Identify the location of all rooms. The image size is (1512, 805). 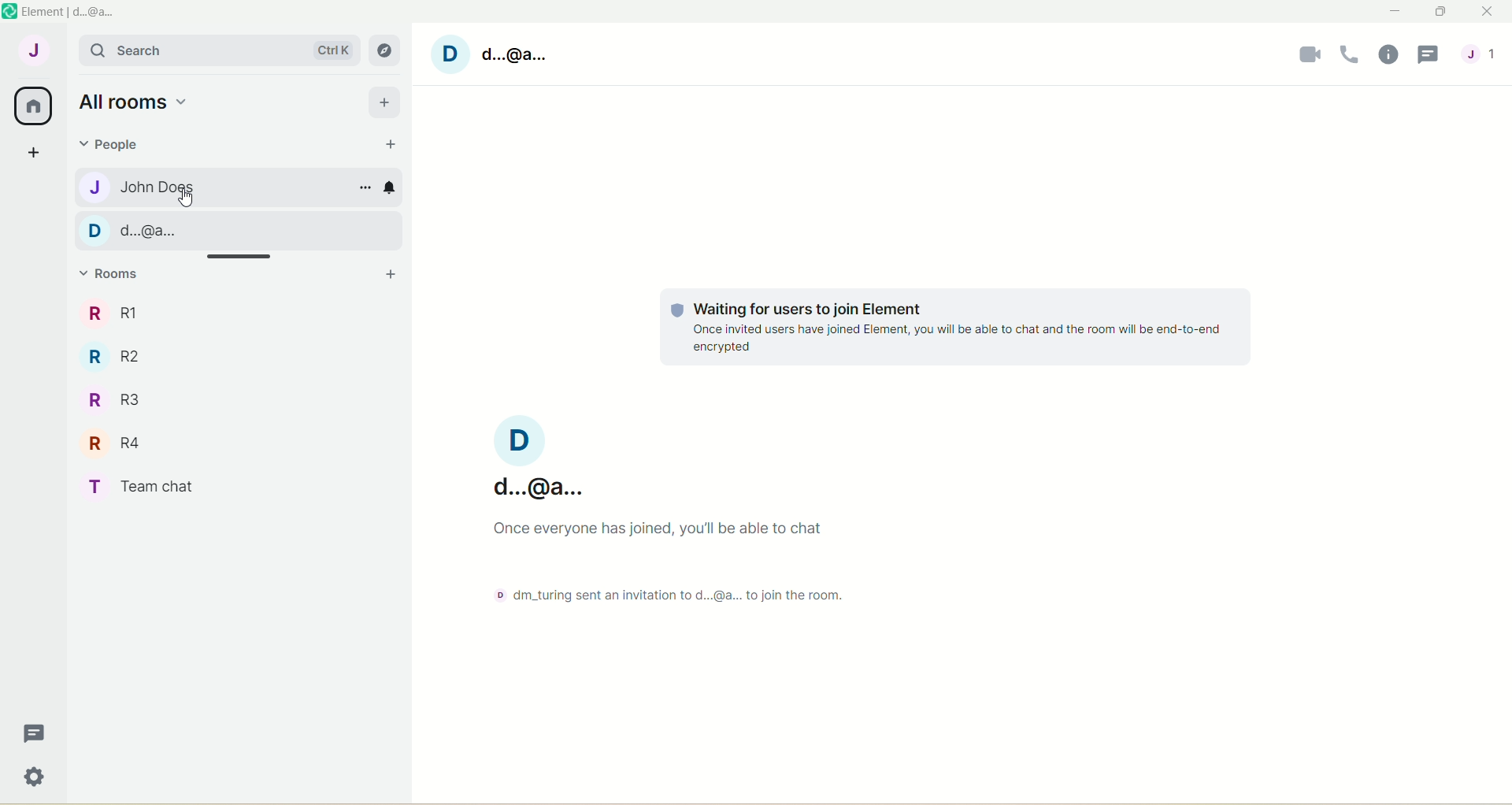
(35, 106).